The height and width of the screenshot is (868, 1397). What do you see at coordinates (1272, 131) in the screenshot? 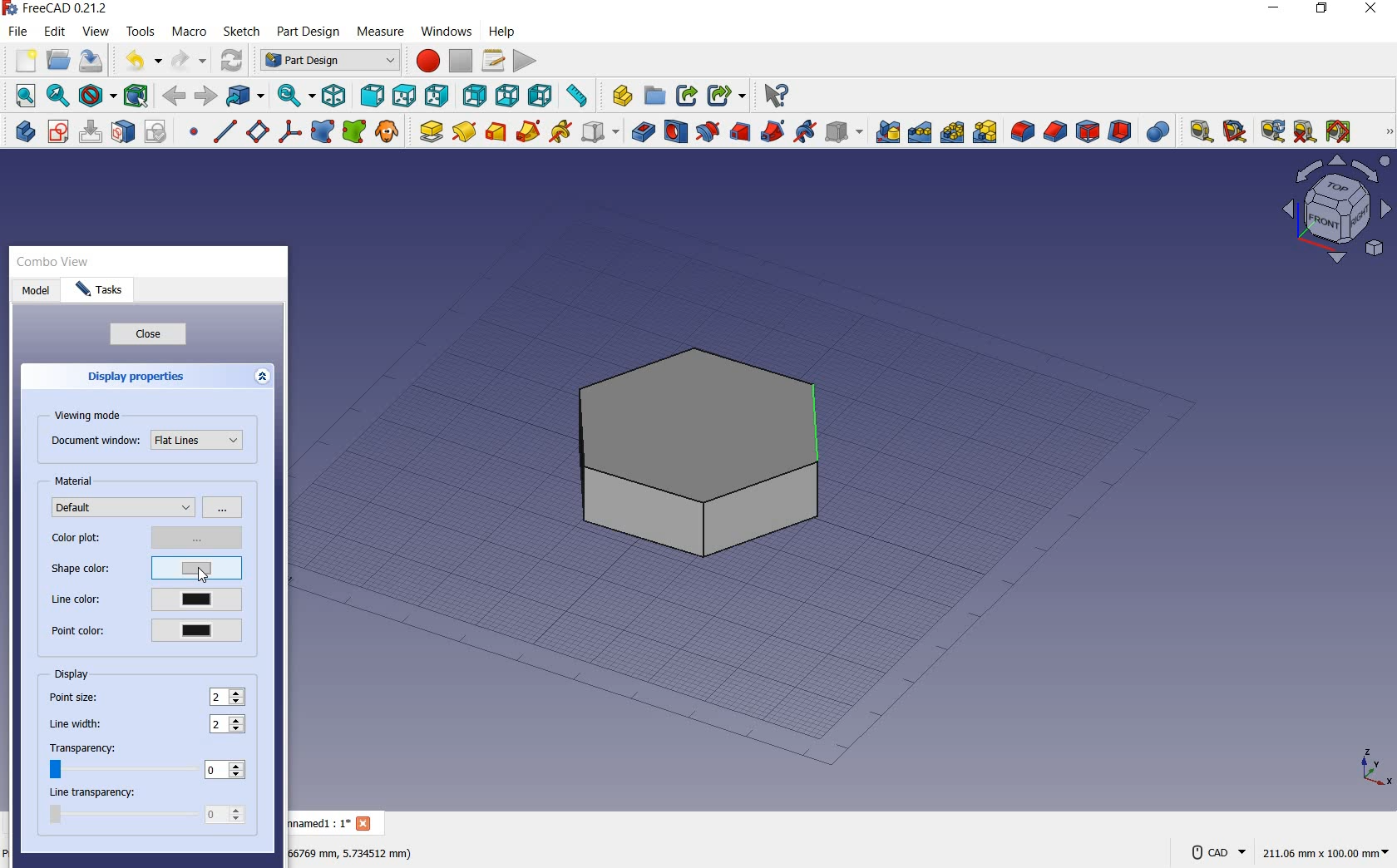
I see `refresh` at bounding box center [1272, 131].